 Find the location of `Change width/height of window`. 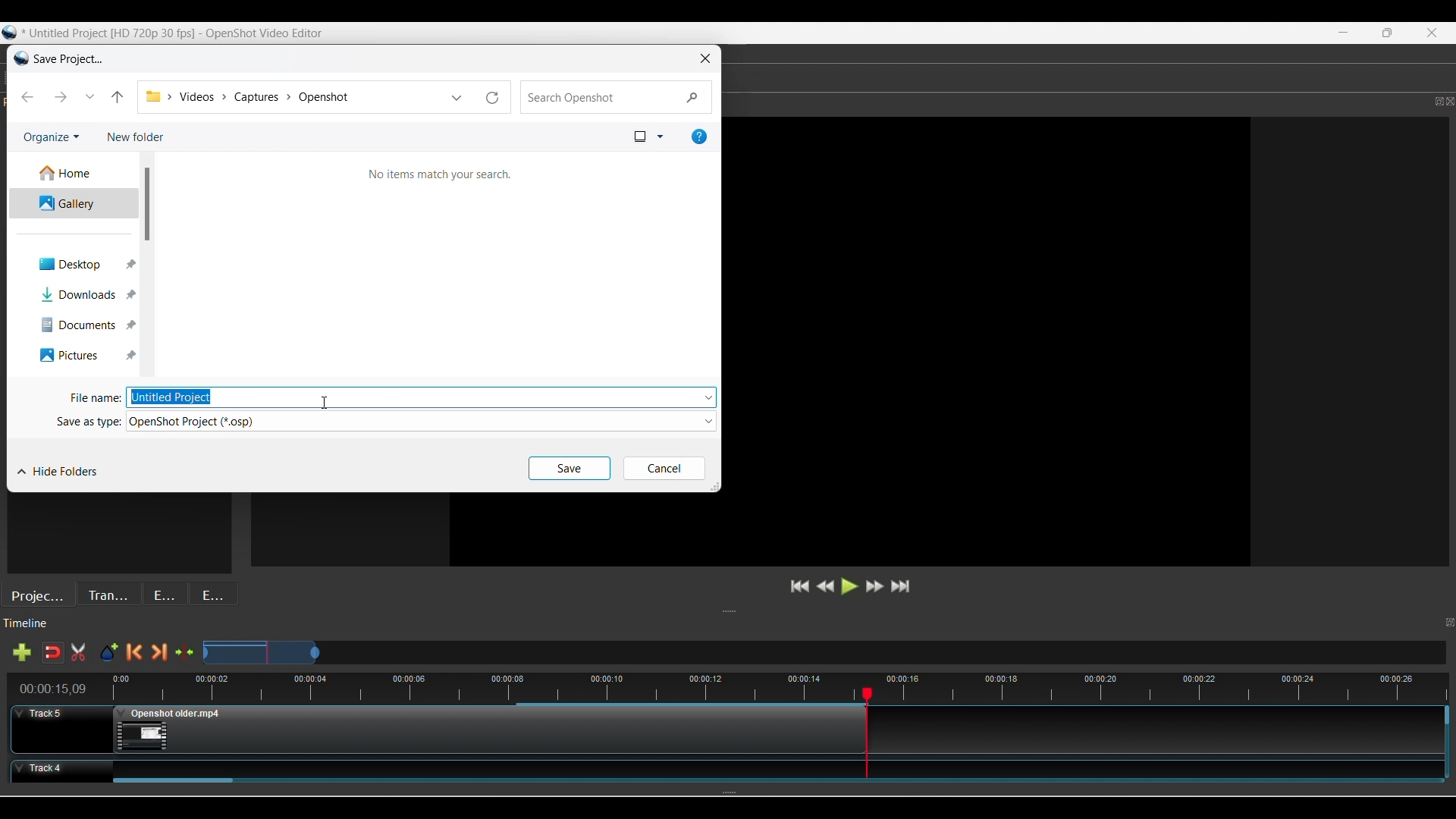

Change width/height of window is located at coordinates (715, 487).